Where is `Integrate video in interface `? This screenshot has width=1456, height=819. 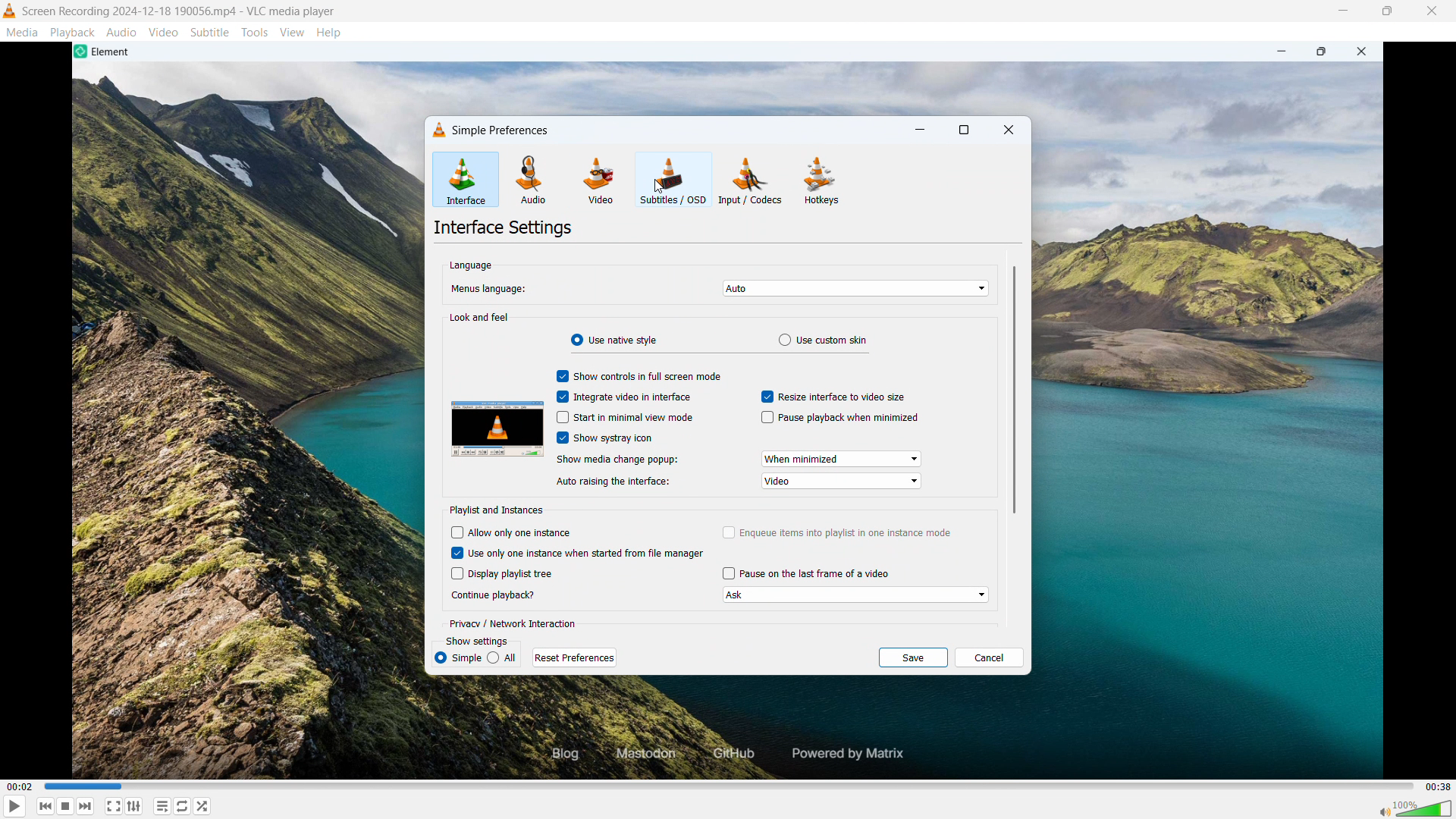 Integrate video in interface  is located at coordinates (639, 397).